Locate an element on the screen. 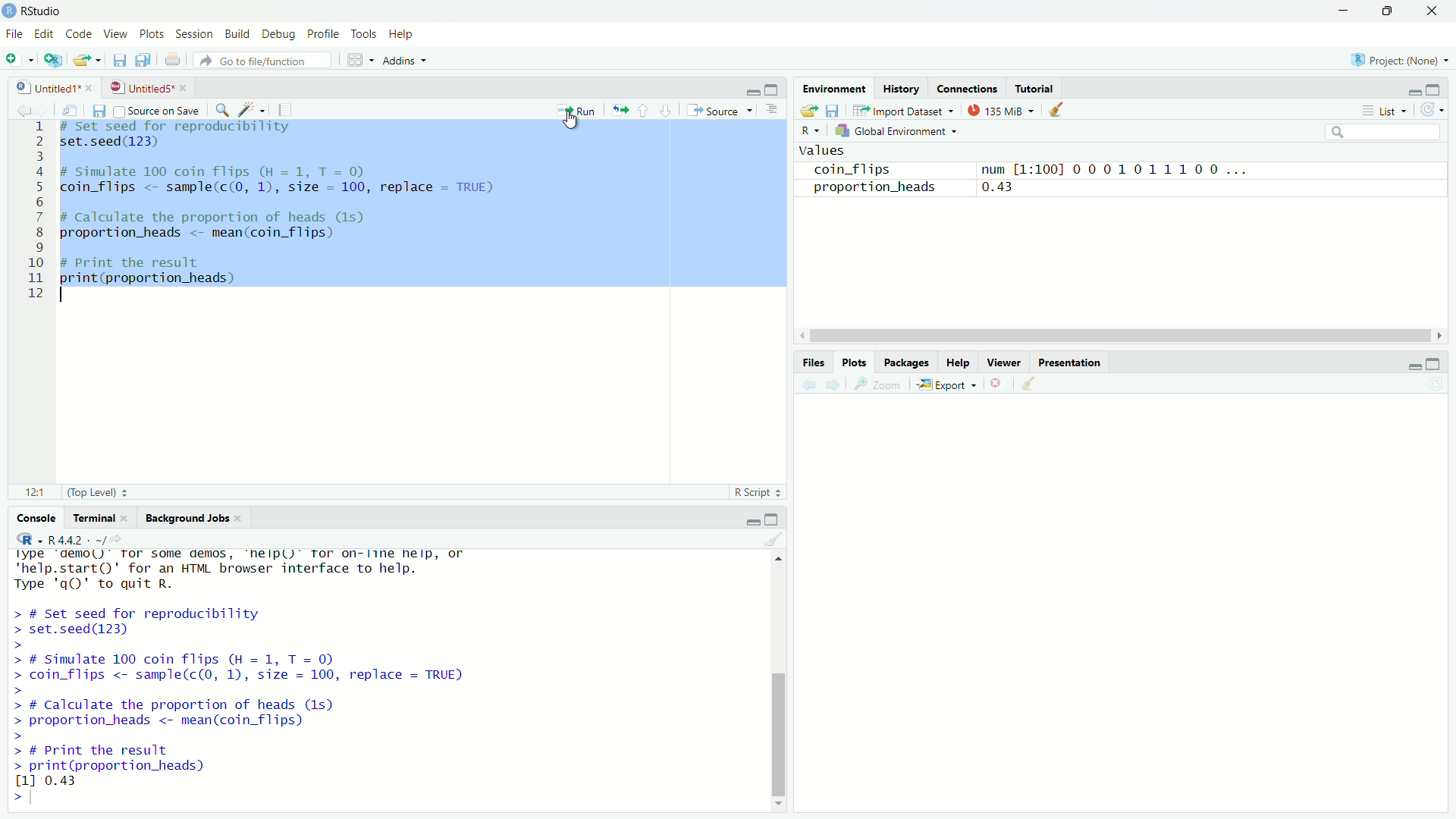 Image resolution: width=1456 pixels, height=819 pixels. list is located at coordinates (1386, 111).